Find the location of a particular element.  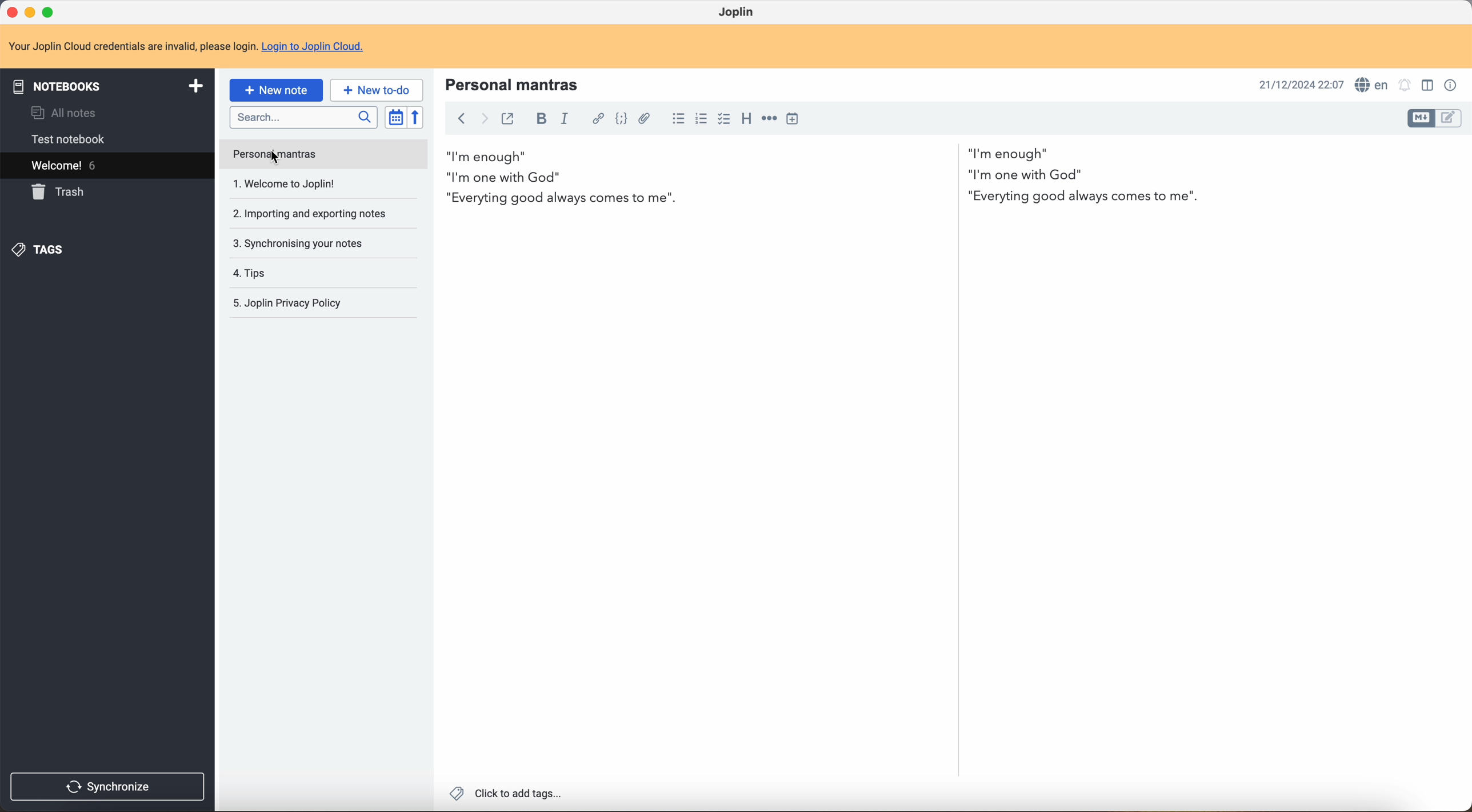

back is located at coordinates (461, 119).